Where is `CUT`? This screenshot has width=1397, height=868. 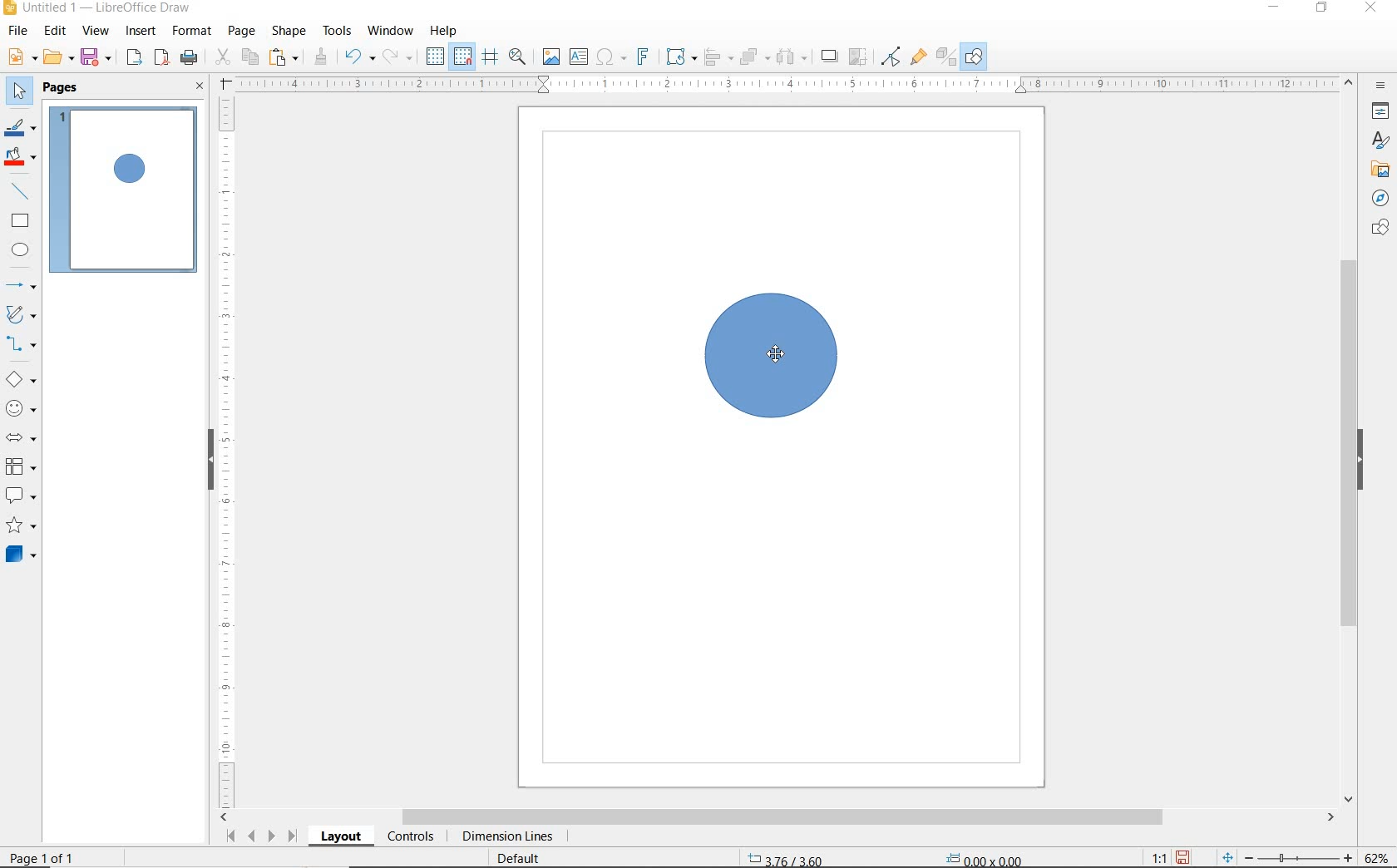 CUT is located at coordinates (222, 57).